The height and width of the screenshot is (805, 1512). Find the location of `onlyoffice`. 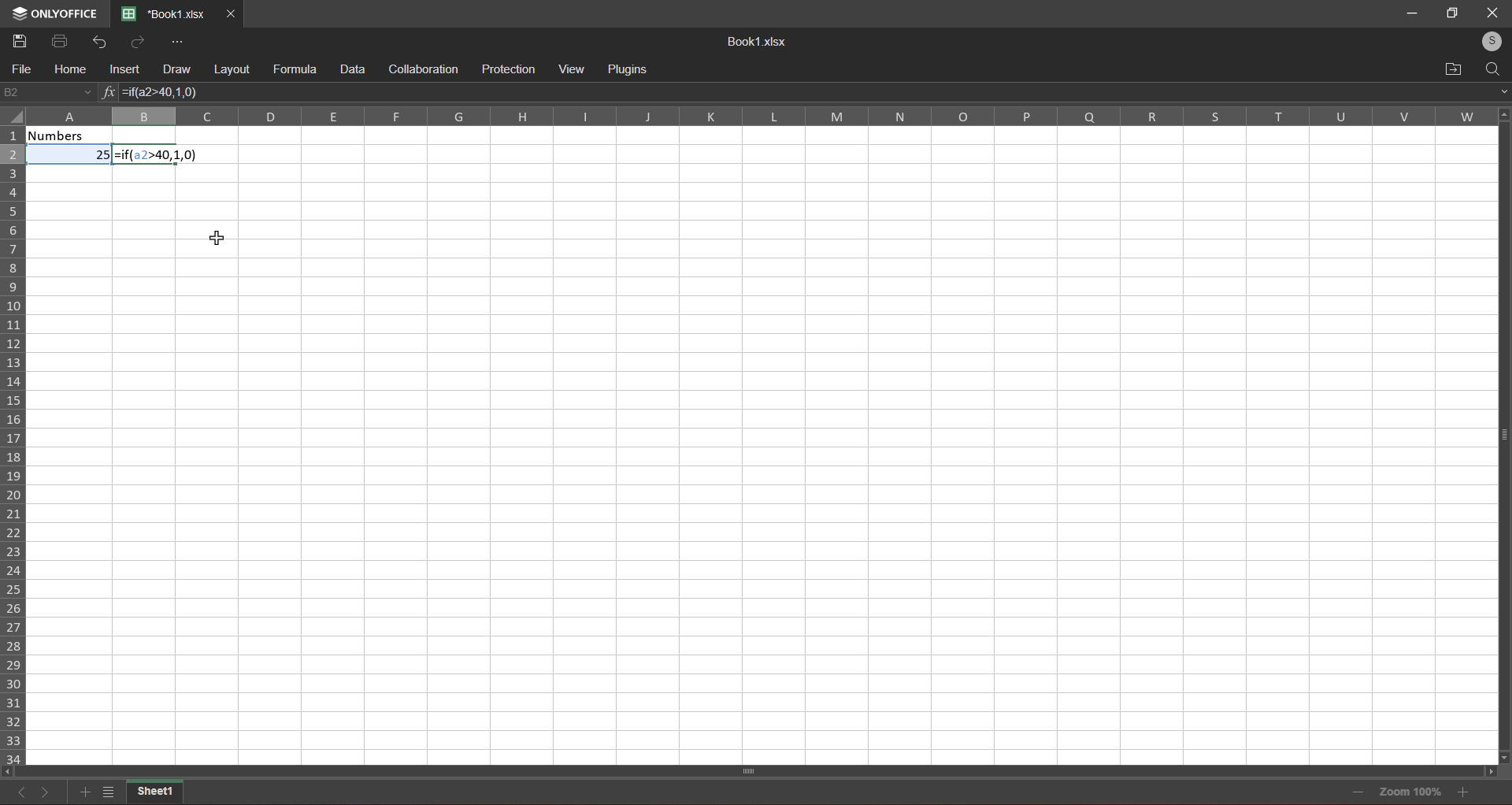

onlyoffice is located at coordinates (57, 9).